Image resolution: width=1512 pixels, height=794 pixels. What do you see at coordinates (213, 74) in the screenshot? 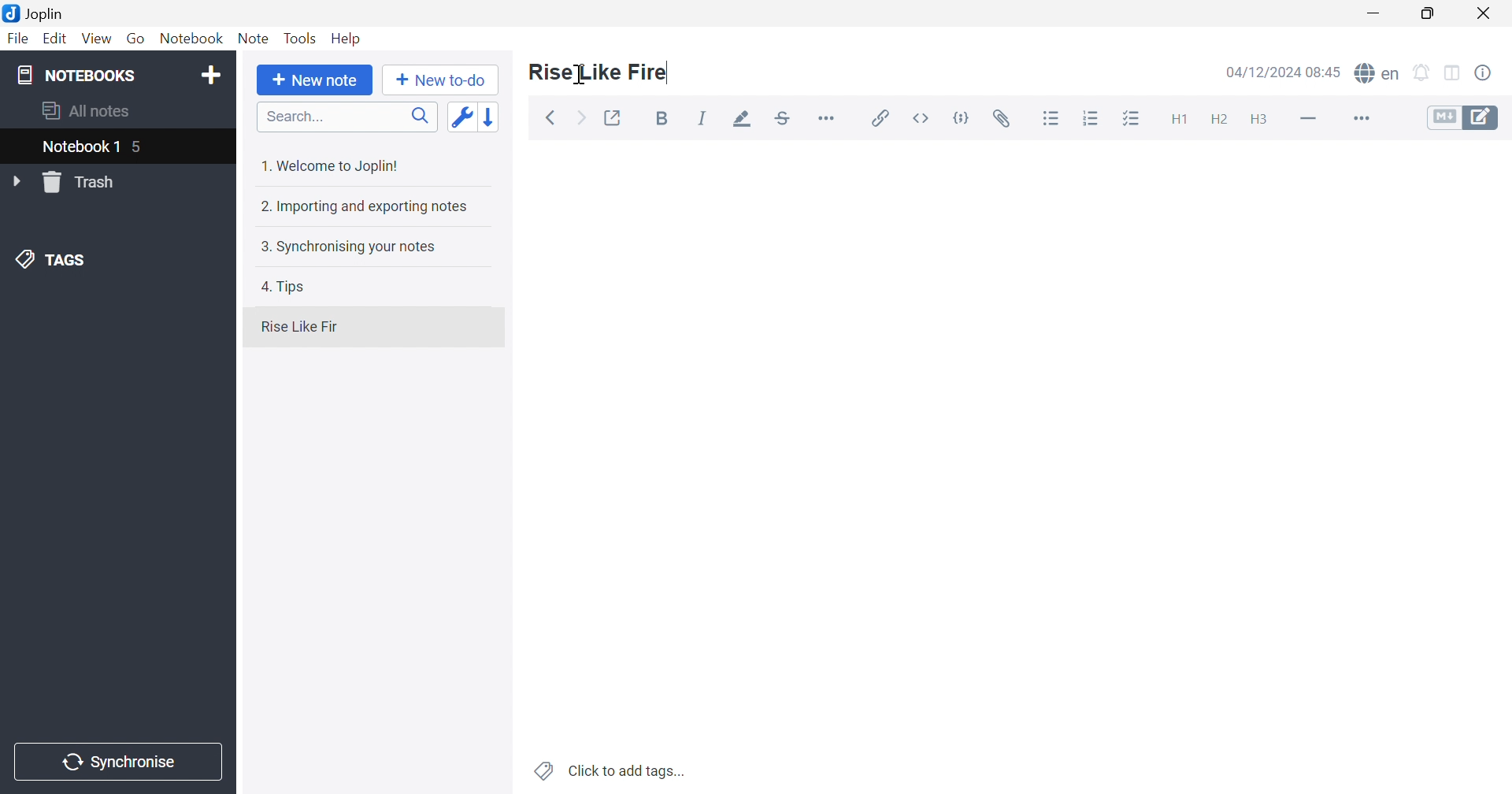
I see `Add notebook` at bounding box center [213, 74].